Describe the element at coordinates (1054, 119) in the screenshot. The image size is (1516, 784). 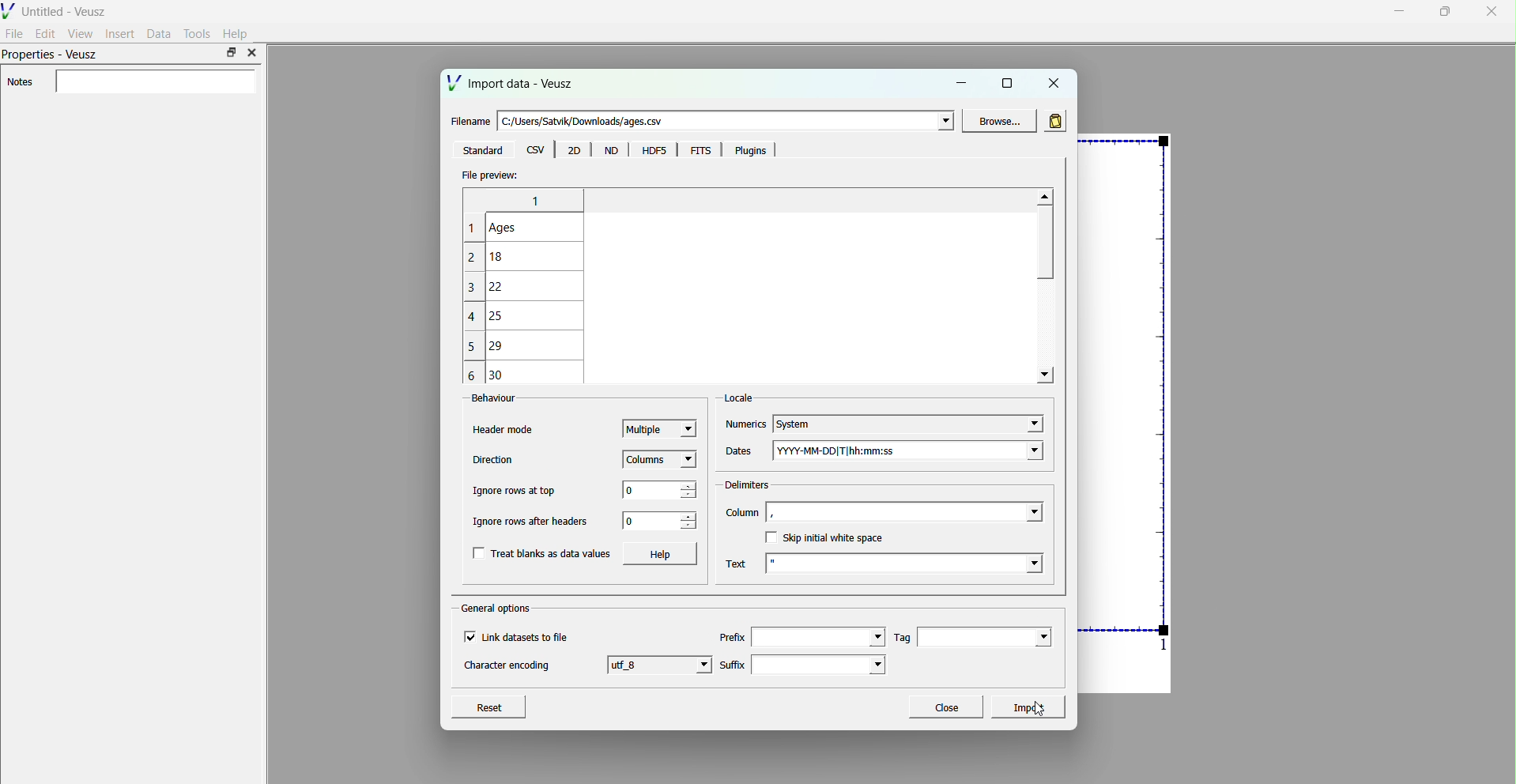
I see `read in data from clipboard rather than in file` at that location.